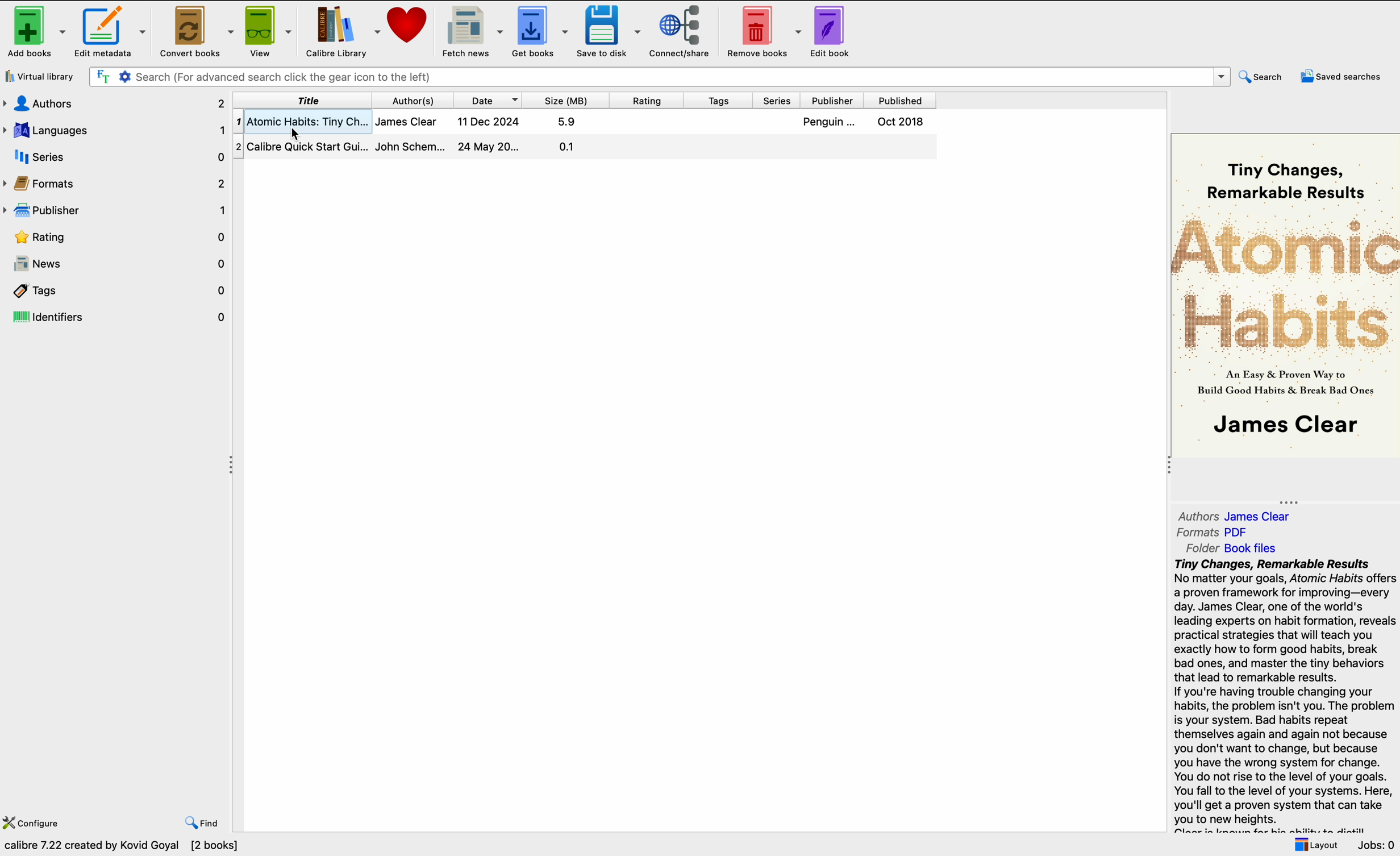  What do you see at coordinates (303, 101) in the screenshot?
I see `title` at bounding box center [303, 101].